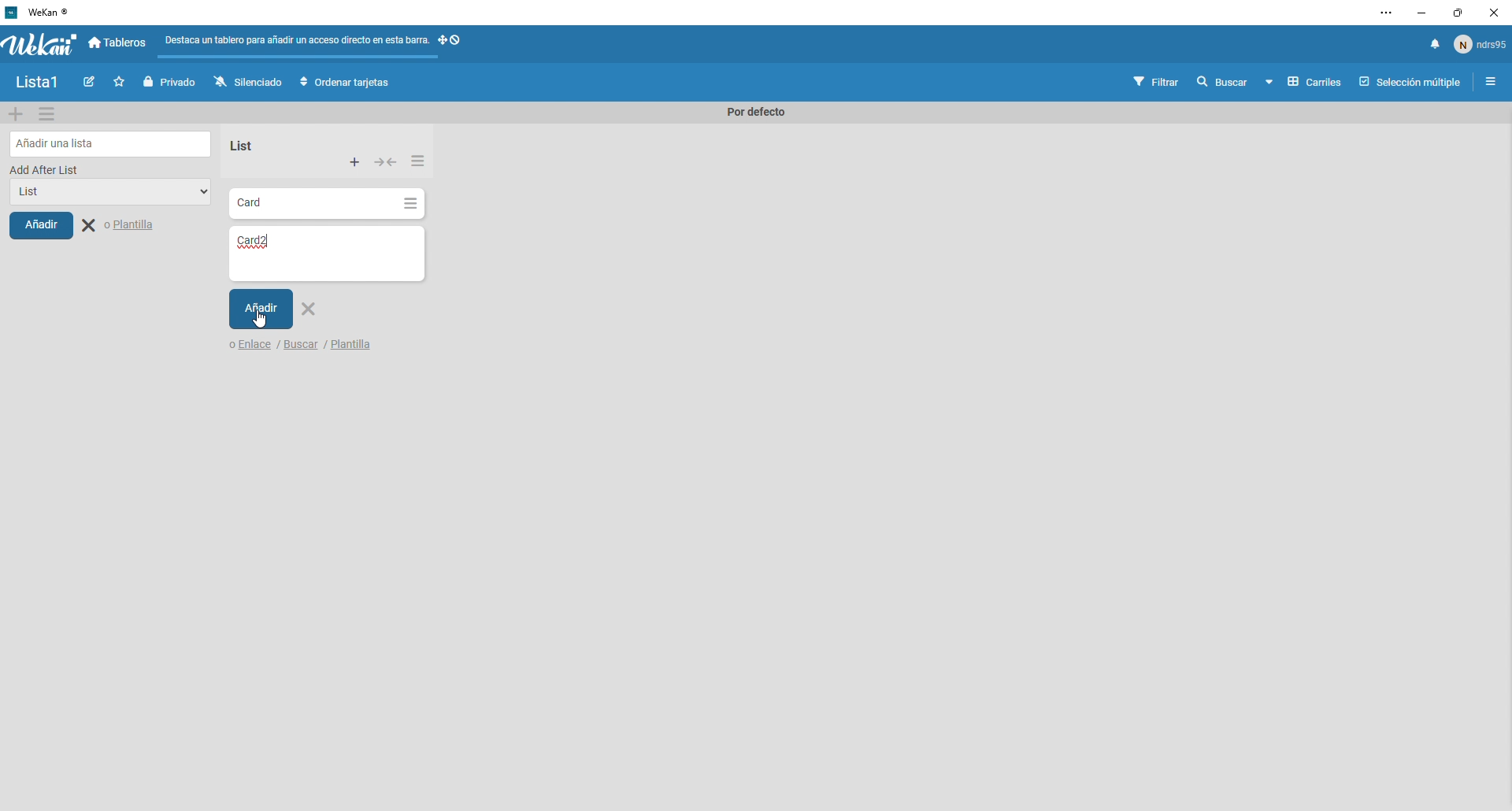  I want to click on User, so click(1480, 43).